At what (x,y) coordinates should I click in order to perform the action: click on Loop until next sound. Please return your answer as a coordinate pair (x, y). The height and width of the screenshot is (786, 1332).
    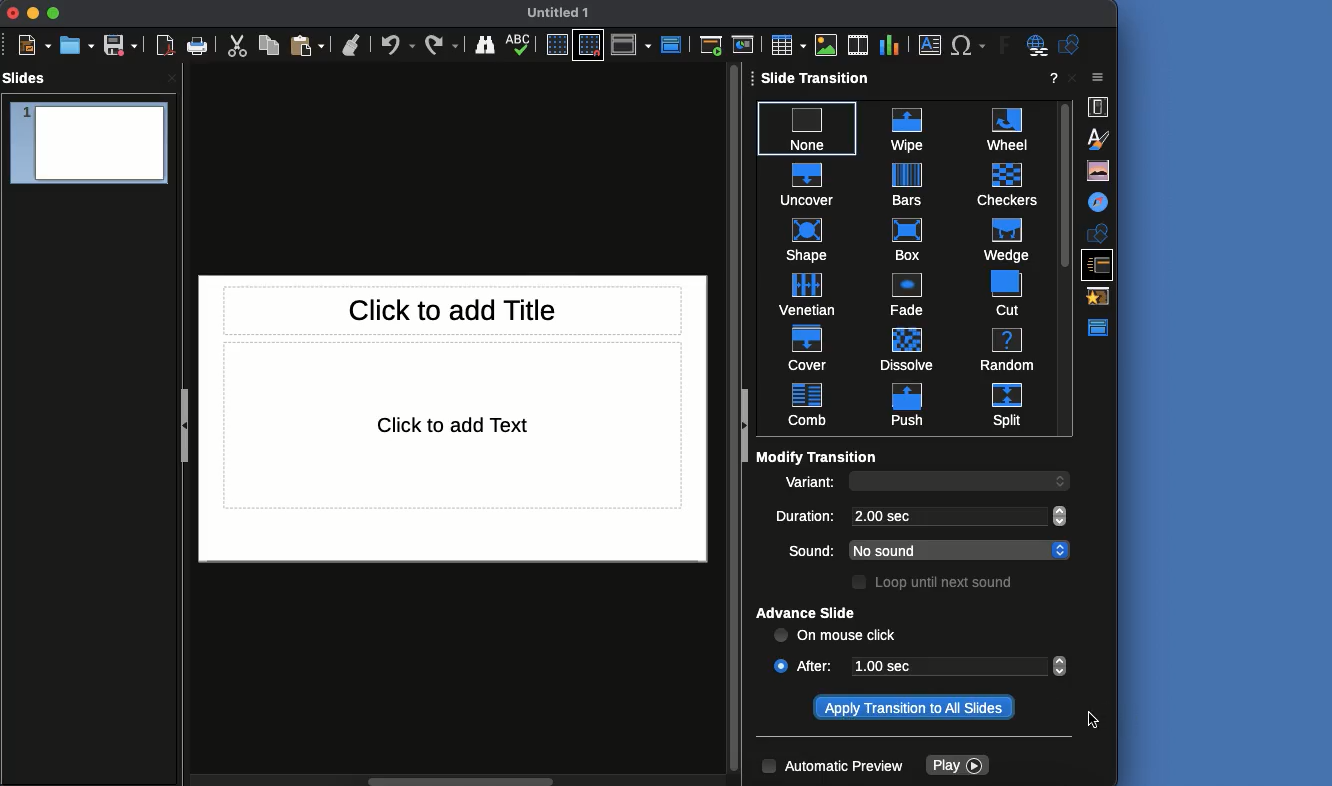
    Looking at the image, I should click on (936, 584).